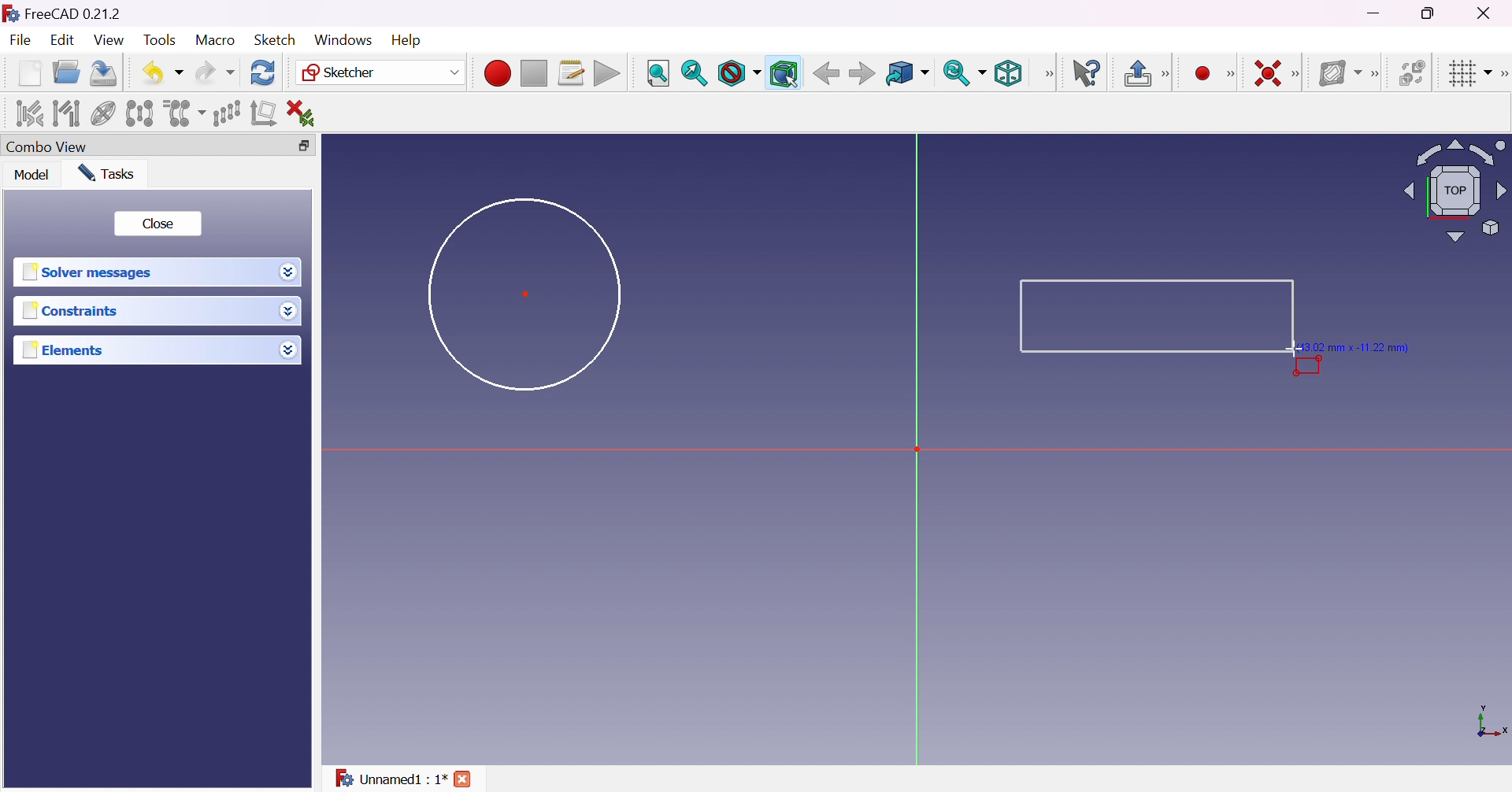 The image size is (1512, 792). I want to click on Viewing angle, so click(1452, 192).